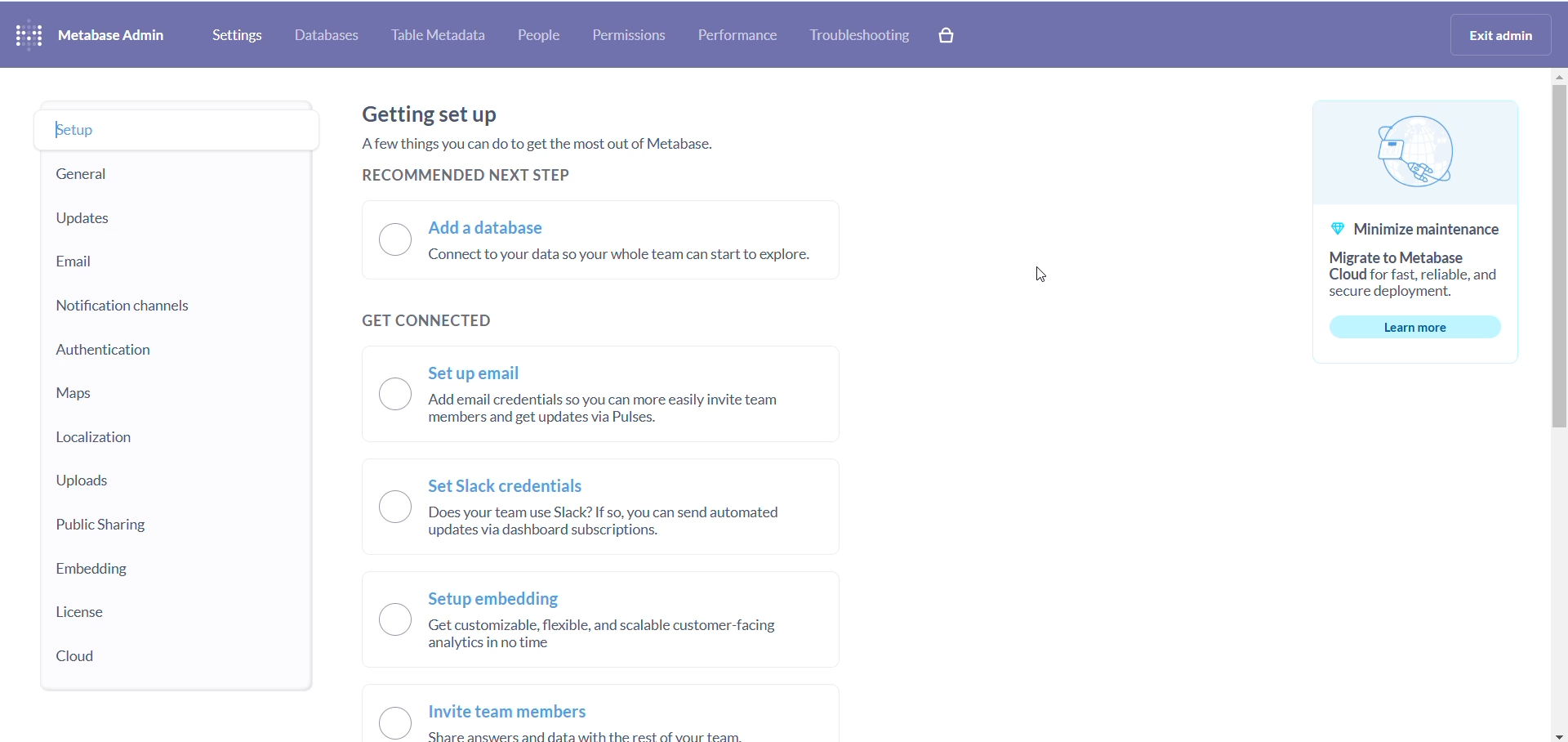 This screenshot has height=742, width=1568. What do you see at coordinates (90, 479) in the screenshot?
I see `uploads` at bounding box center [90, 479].